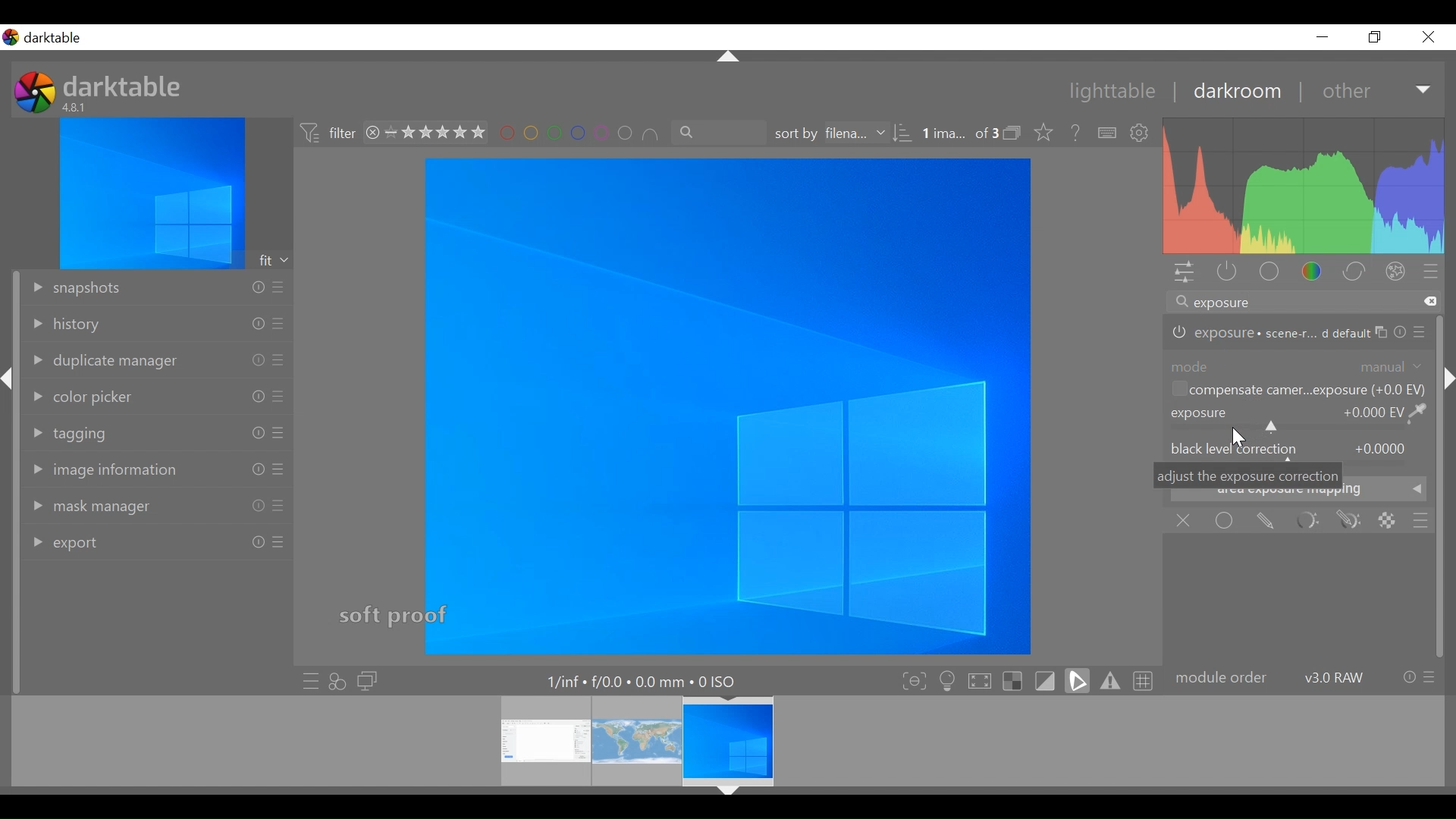 The width and height of the screenshot is (1456, 819). Describe the element at coordinates (1040, 131) in the screenshot. I see `click to change the type of overlays` at that location.